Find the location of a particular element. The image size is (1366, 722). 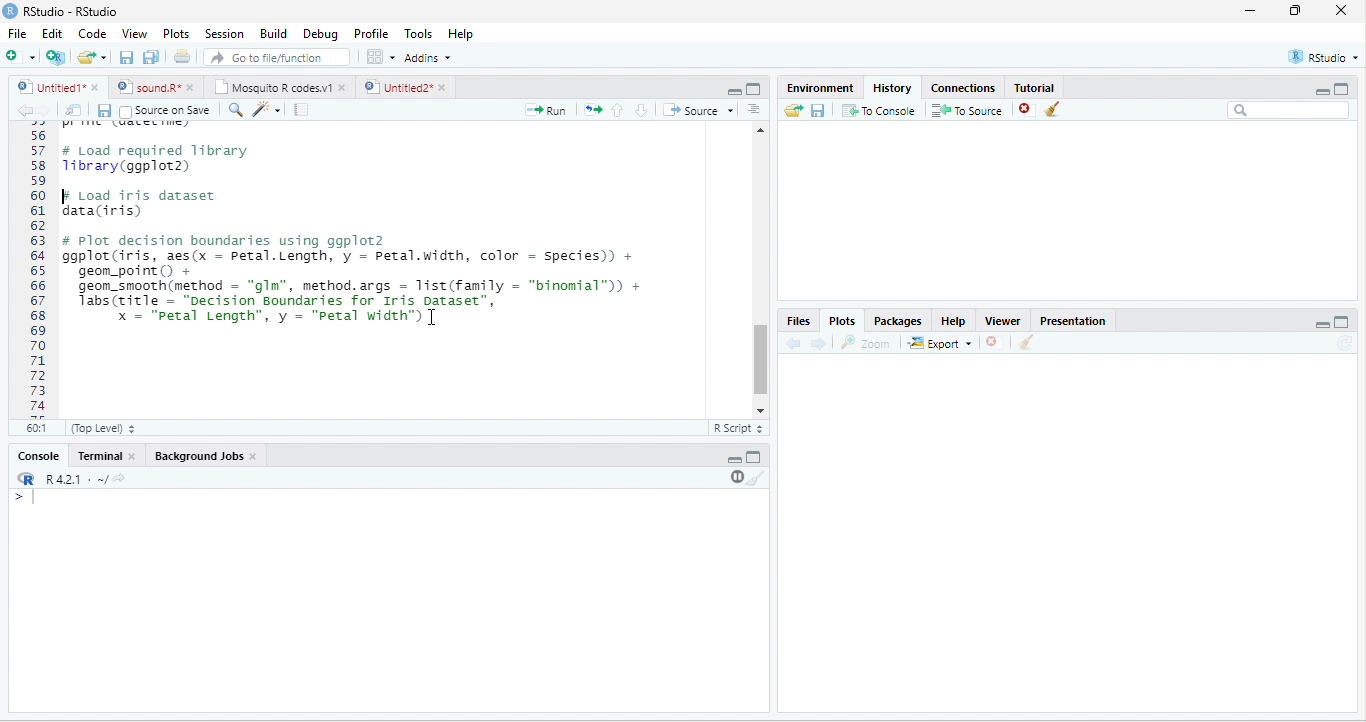

Plots is located at coordinates (843, 322).